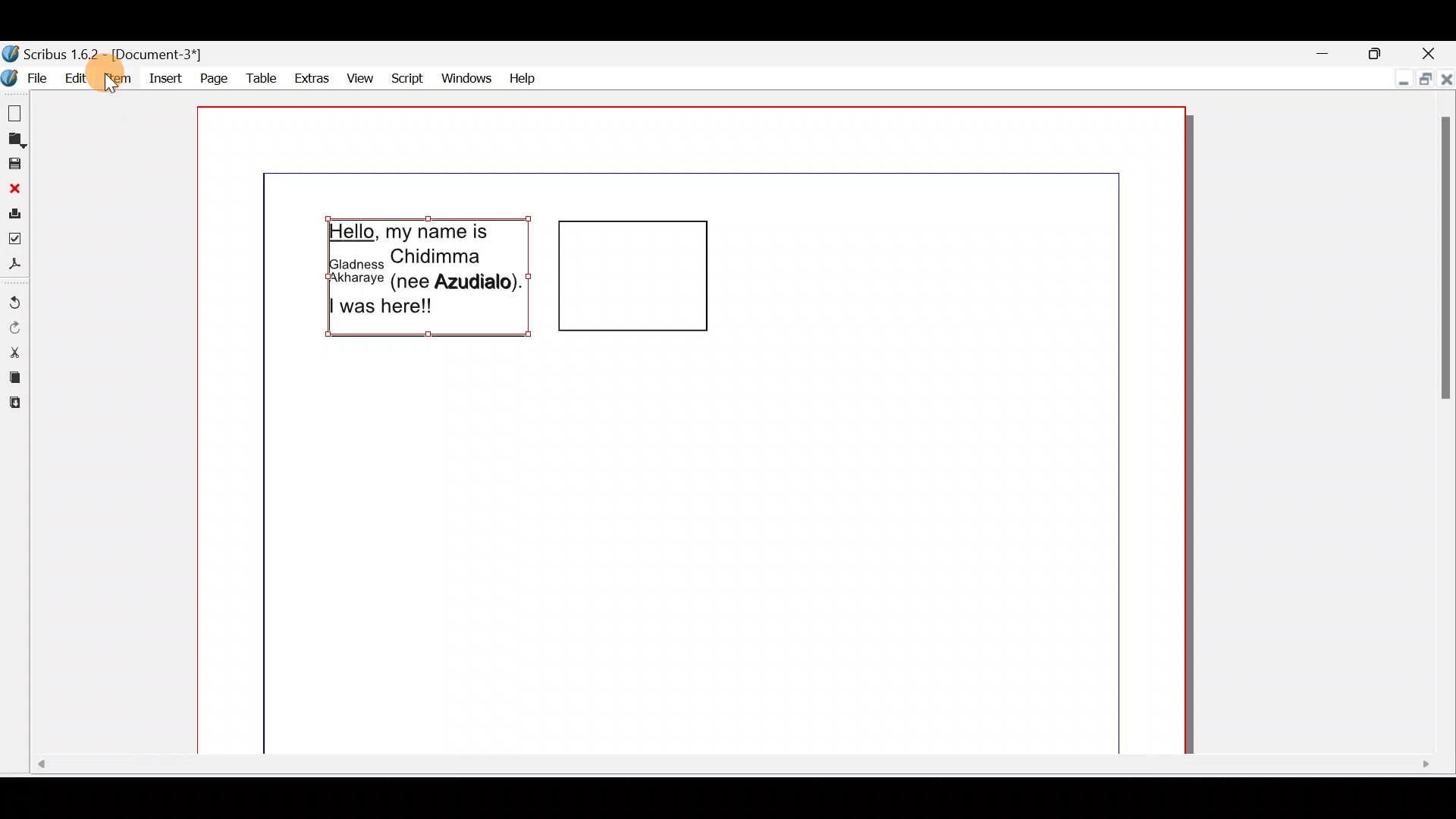  What do you see at coordinates (14, 188) in the screenshot?
I see `Close` at bounding box center [14, 188].